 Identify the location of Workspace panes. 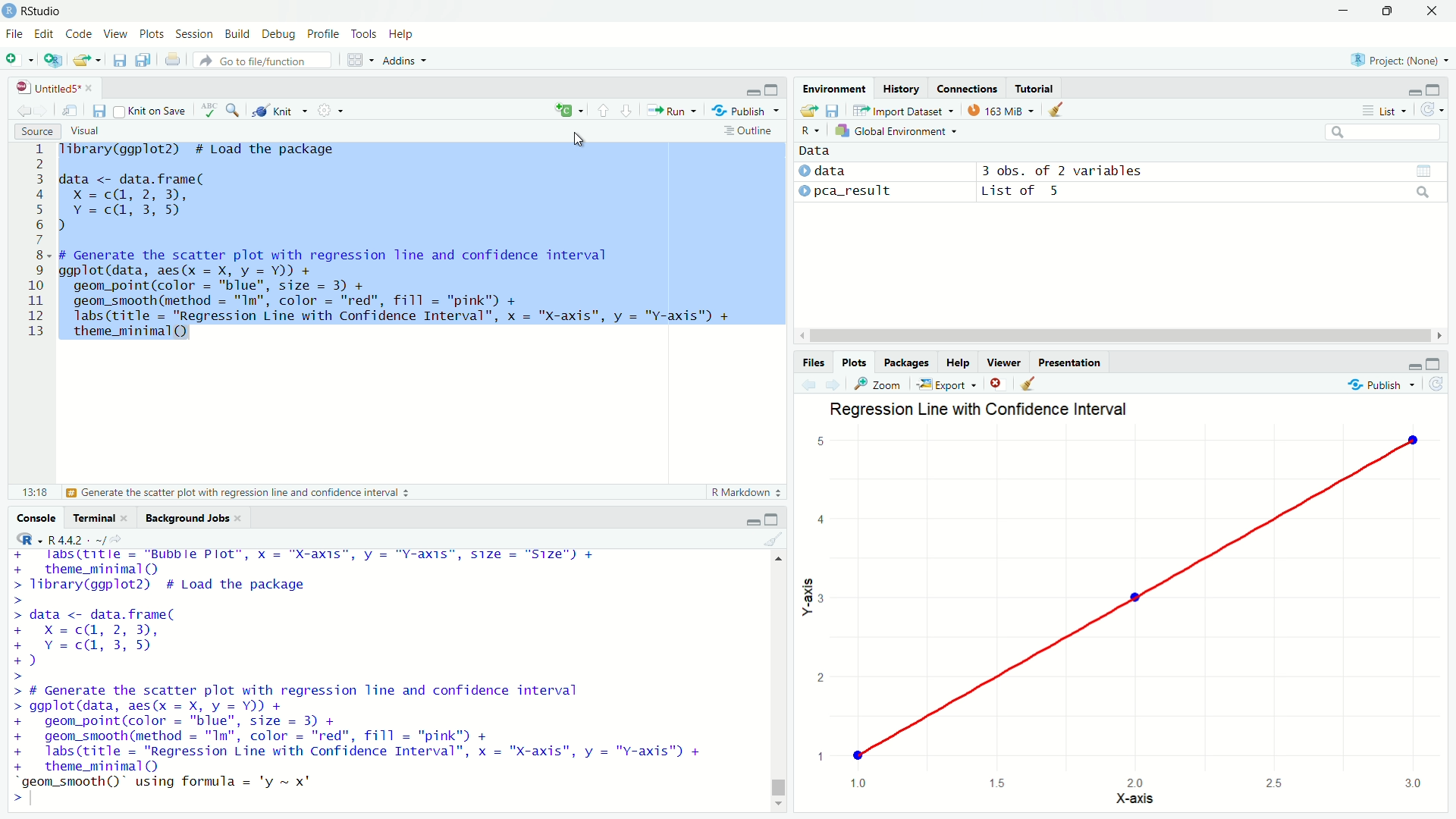
(359, 60).